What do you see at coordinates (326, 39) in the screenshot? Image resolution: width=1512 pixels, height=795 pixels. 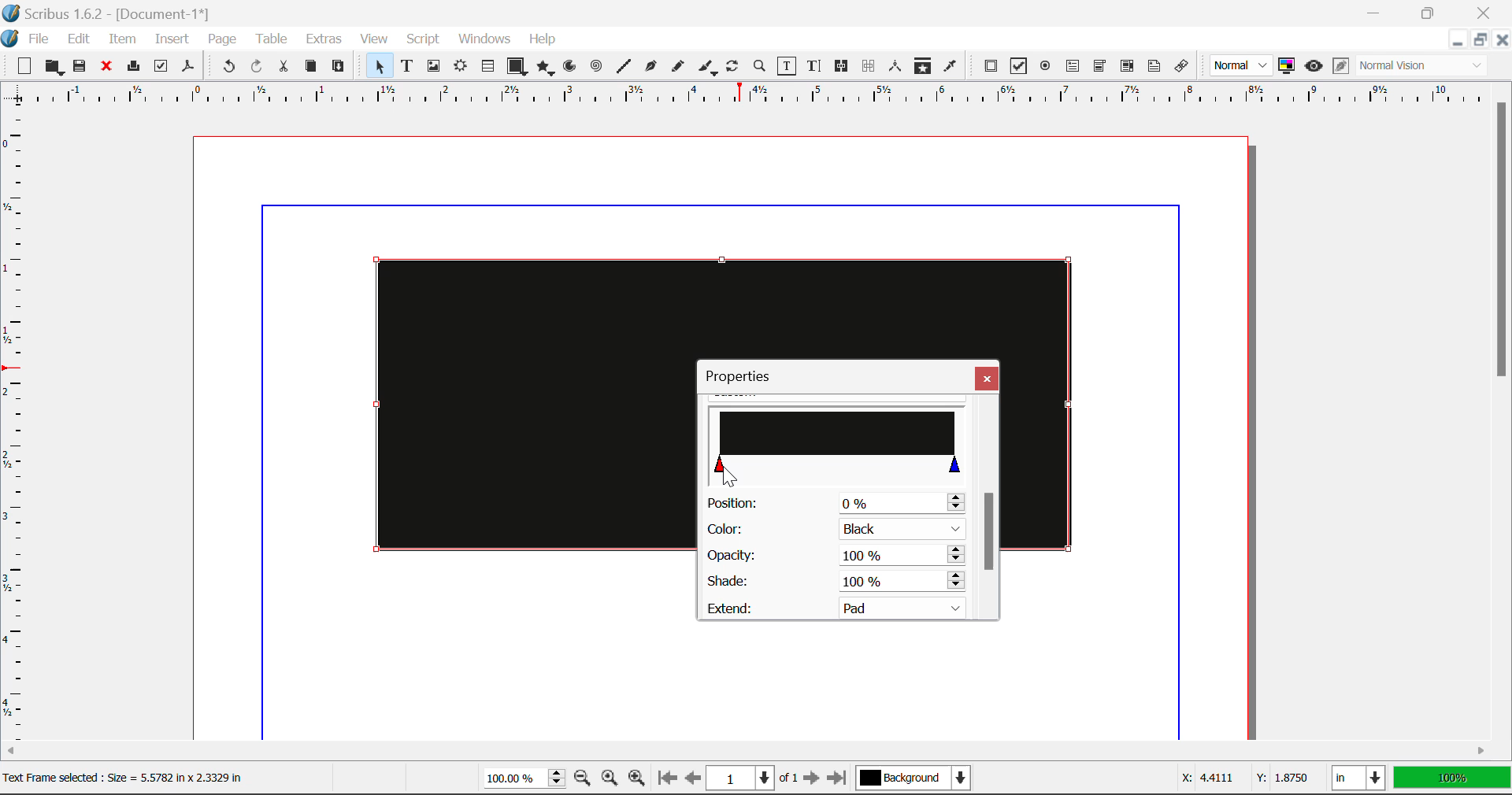 I see `Extras` at bounding box center [326, 39].